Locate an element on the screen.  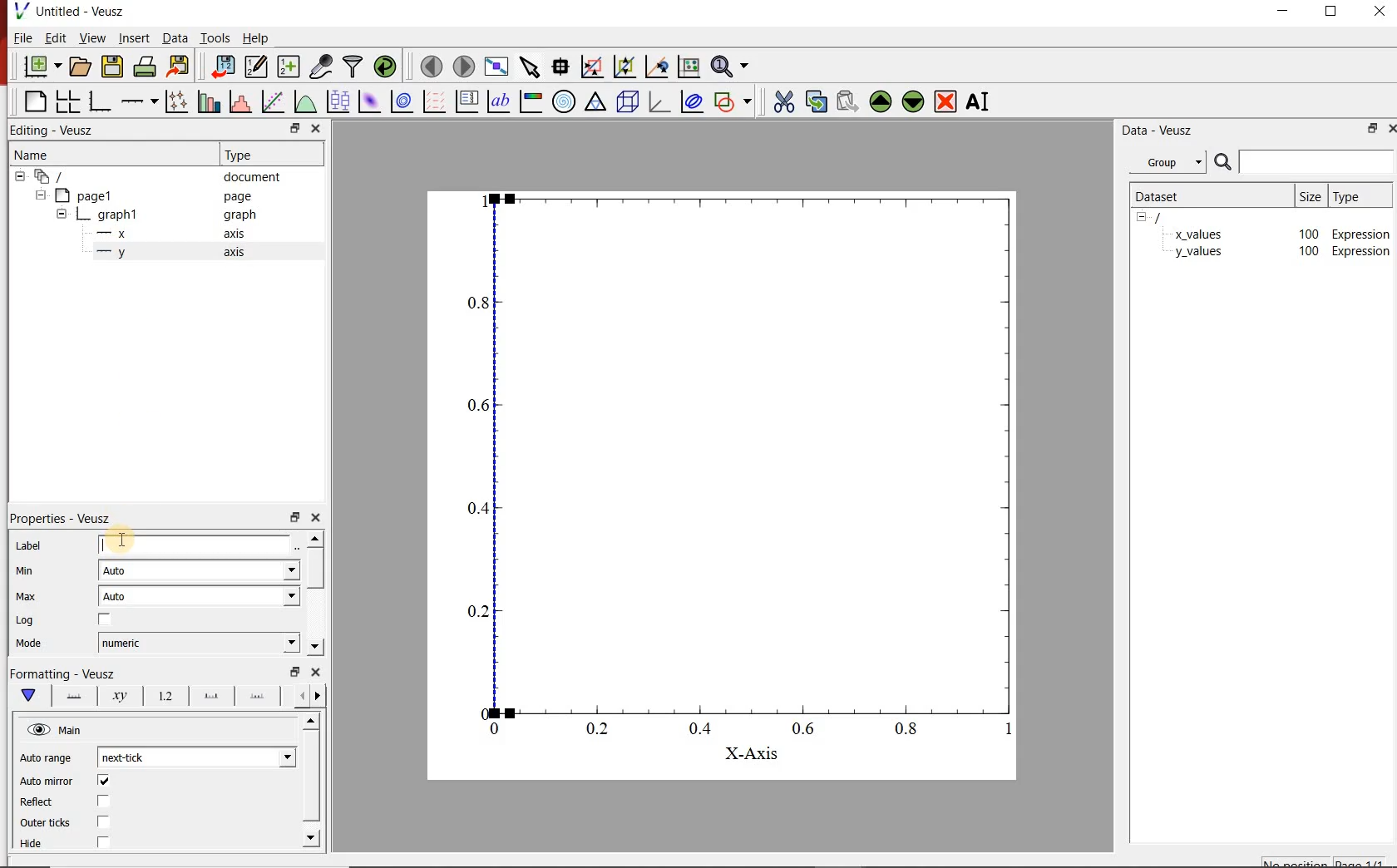
file is located at coordinates (24, 37).